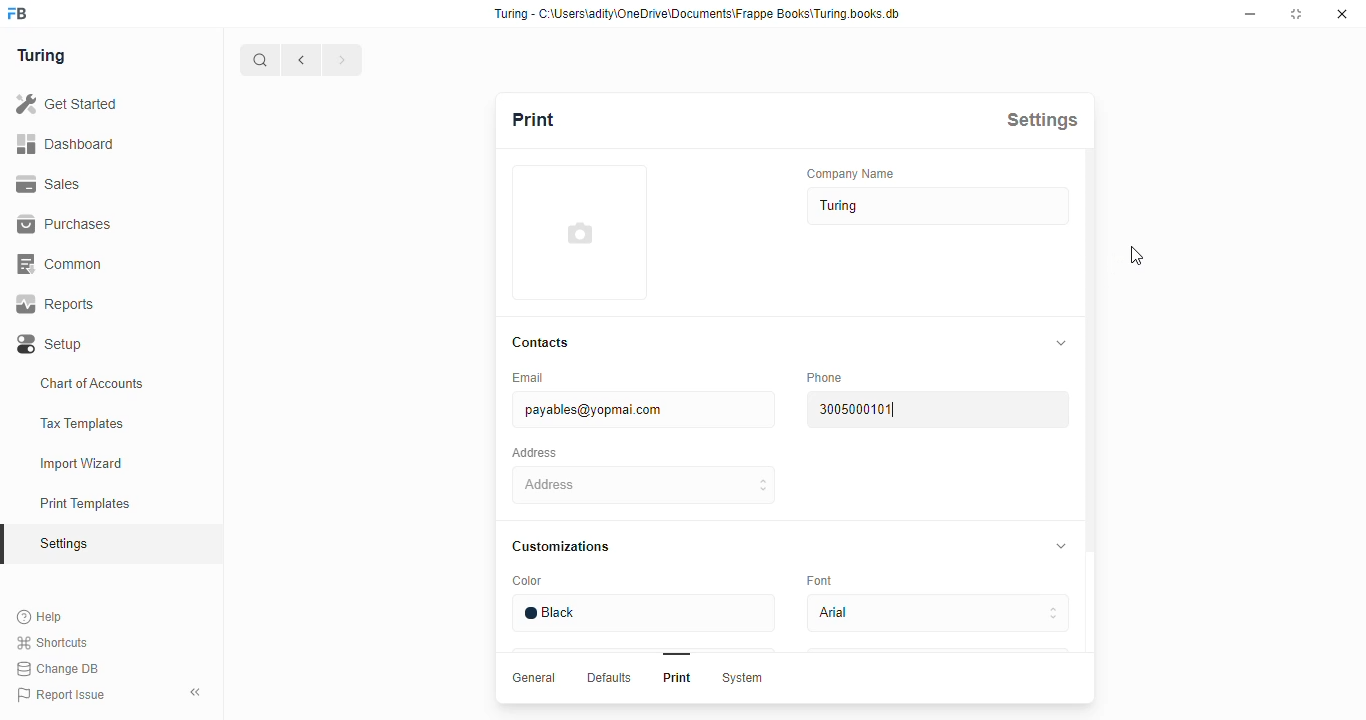 This screenshot has width=1366, height=720. What do you see at coordinates (108, 304) in the screenshot?
I see `Reports.` at bounding box center [108, 304].